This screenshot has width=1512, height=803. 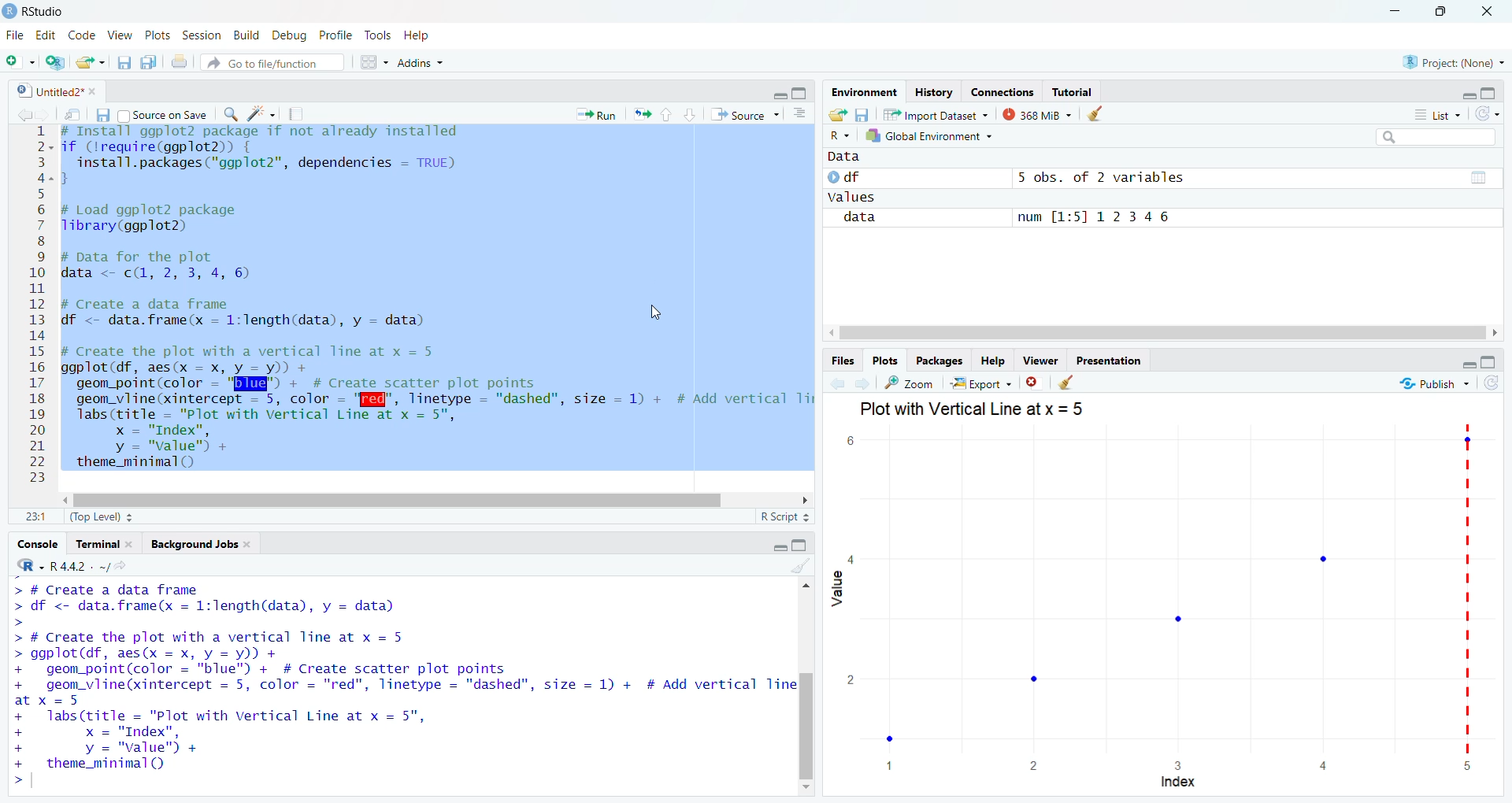 What do you see at coordinates (693, 117) in the screenshot?
I see `downward` at bounding box center [693, 117].